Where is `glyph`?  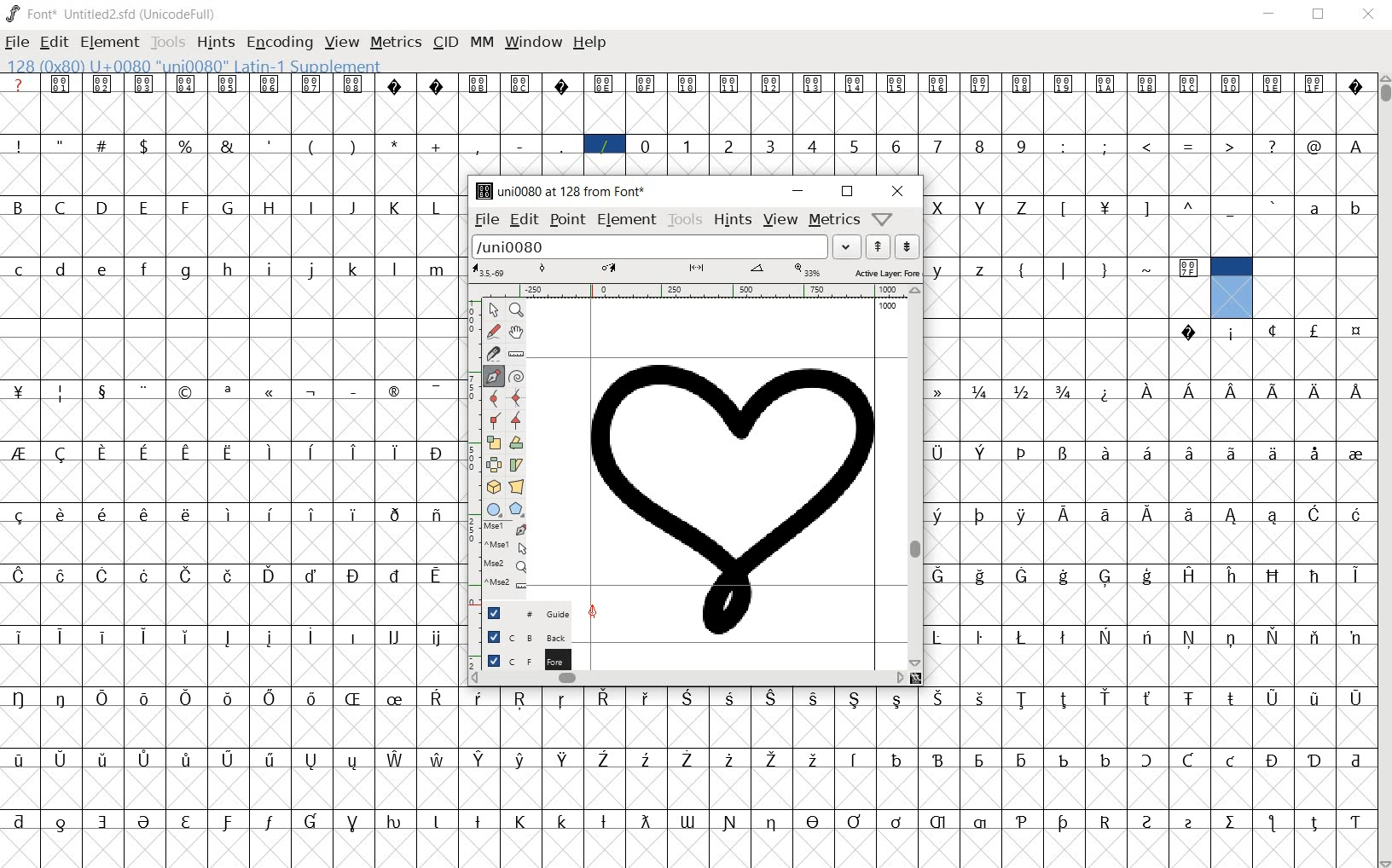
glyph is located at coordinates (311, 148).